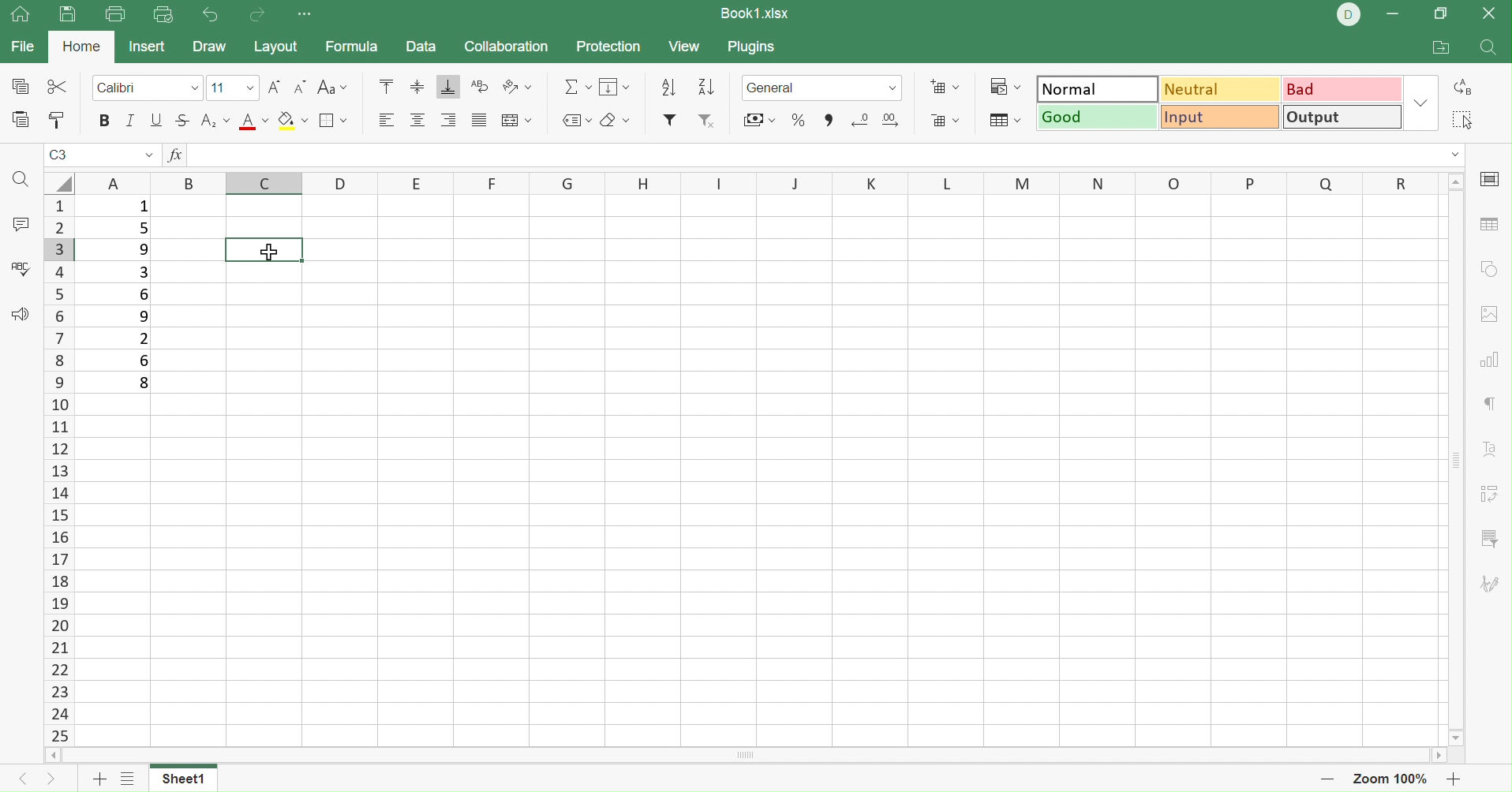 The height and width of the screenshot is (792, 1512). Describe the element at coordinates (1001, 120) in the screenshot. I see `Format as table template` at that location.